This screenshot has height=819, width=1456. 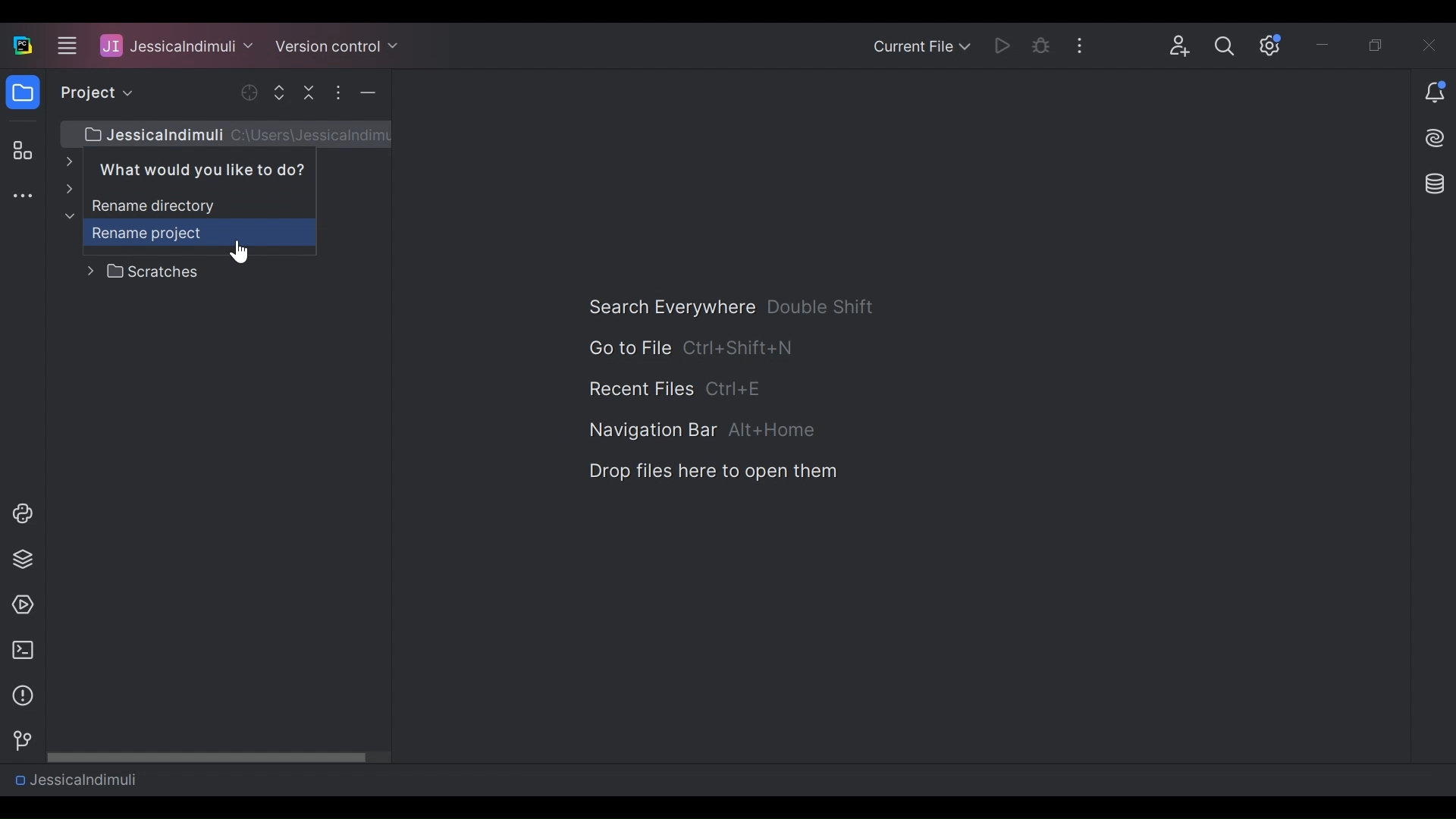 I want to click on Go To files, so click(x=628, y=347).